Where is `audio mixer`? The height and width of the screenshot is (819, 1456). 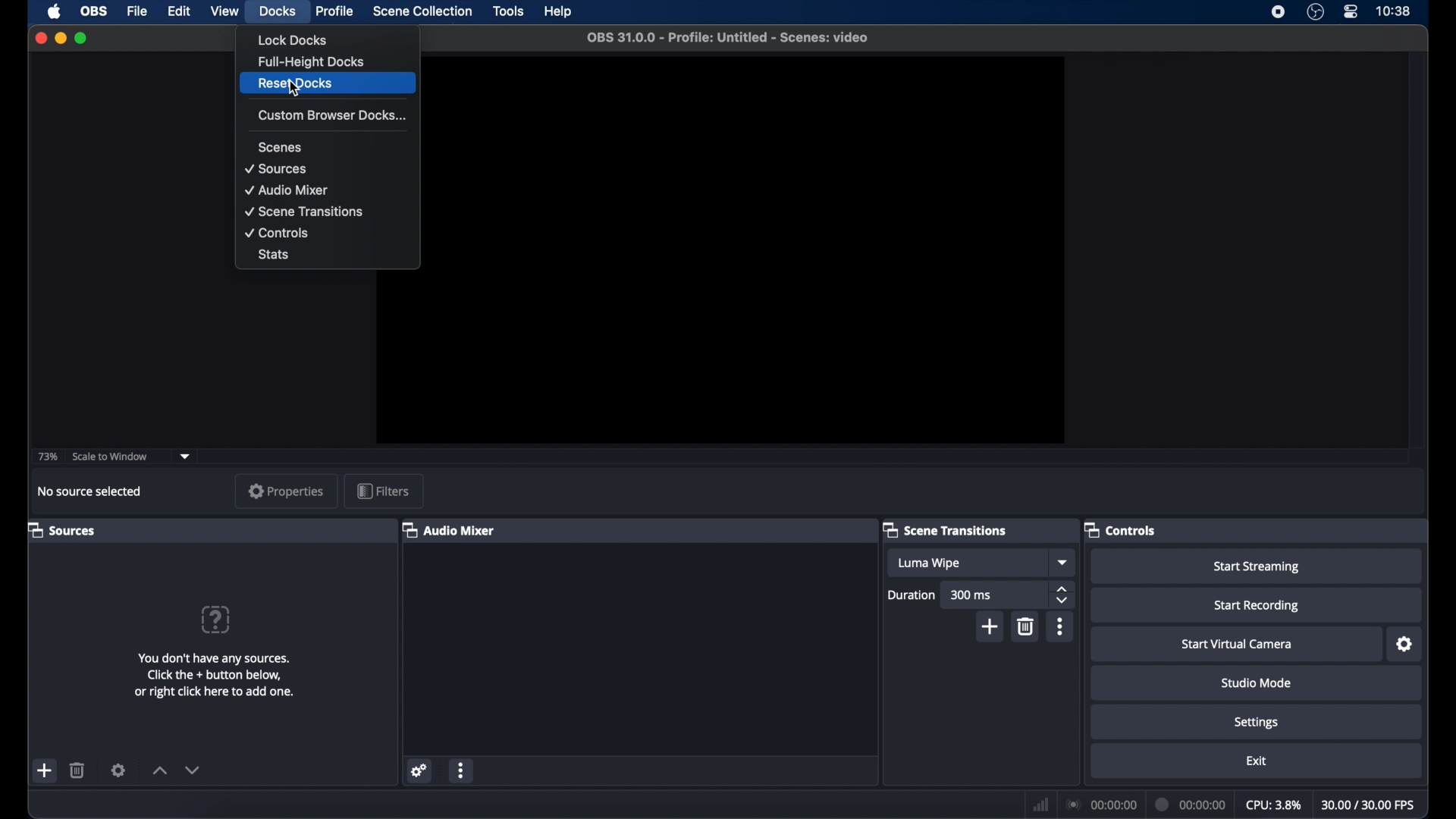 audio mixer is located at coordinates (447, 529).